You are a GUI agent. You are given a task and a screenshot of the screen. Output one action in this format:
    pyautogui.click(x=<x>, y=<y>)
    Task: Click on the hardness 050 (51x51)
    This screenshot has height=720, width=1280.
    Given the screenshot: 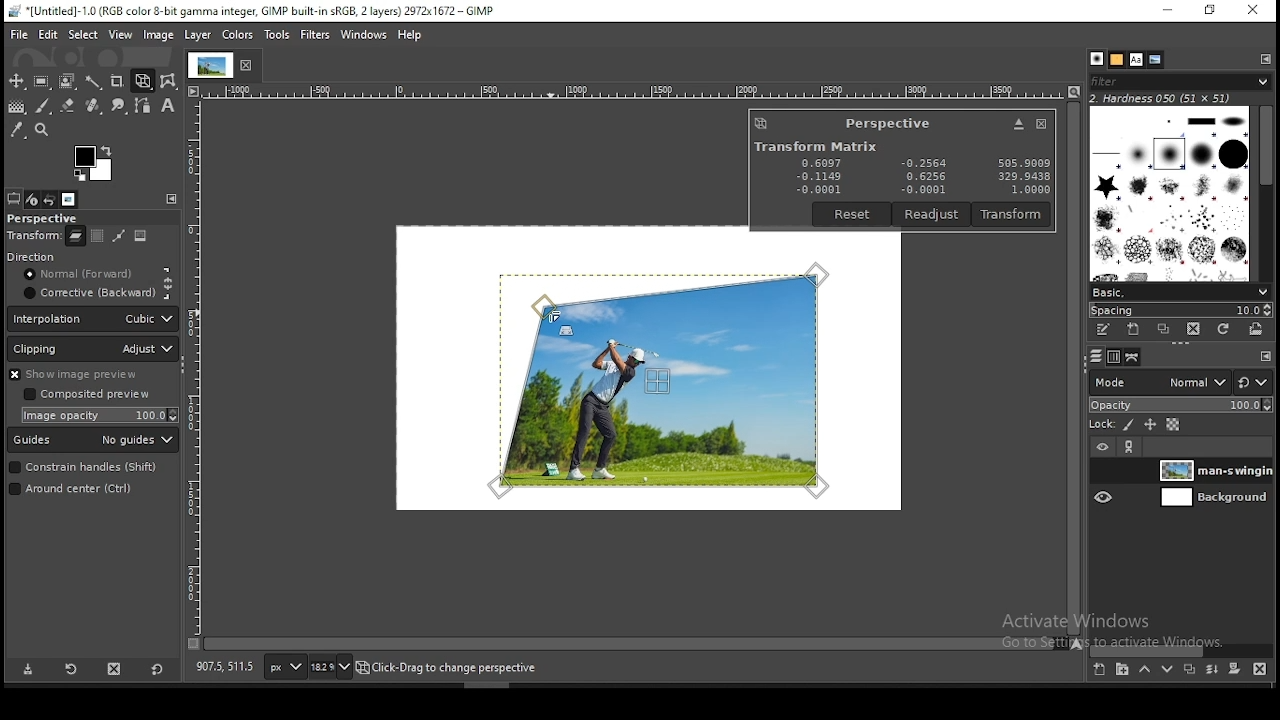 What is the action you would take?
    pyautogui.click(x=1161, y=99)
    